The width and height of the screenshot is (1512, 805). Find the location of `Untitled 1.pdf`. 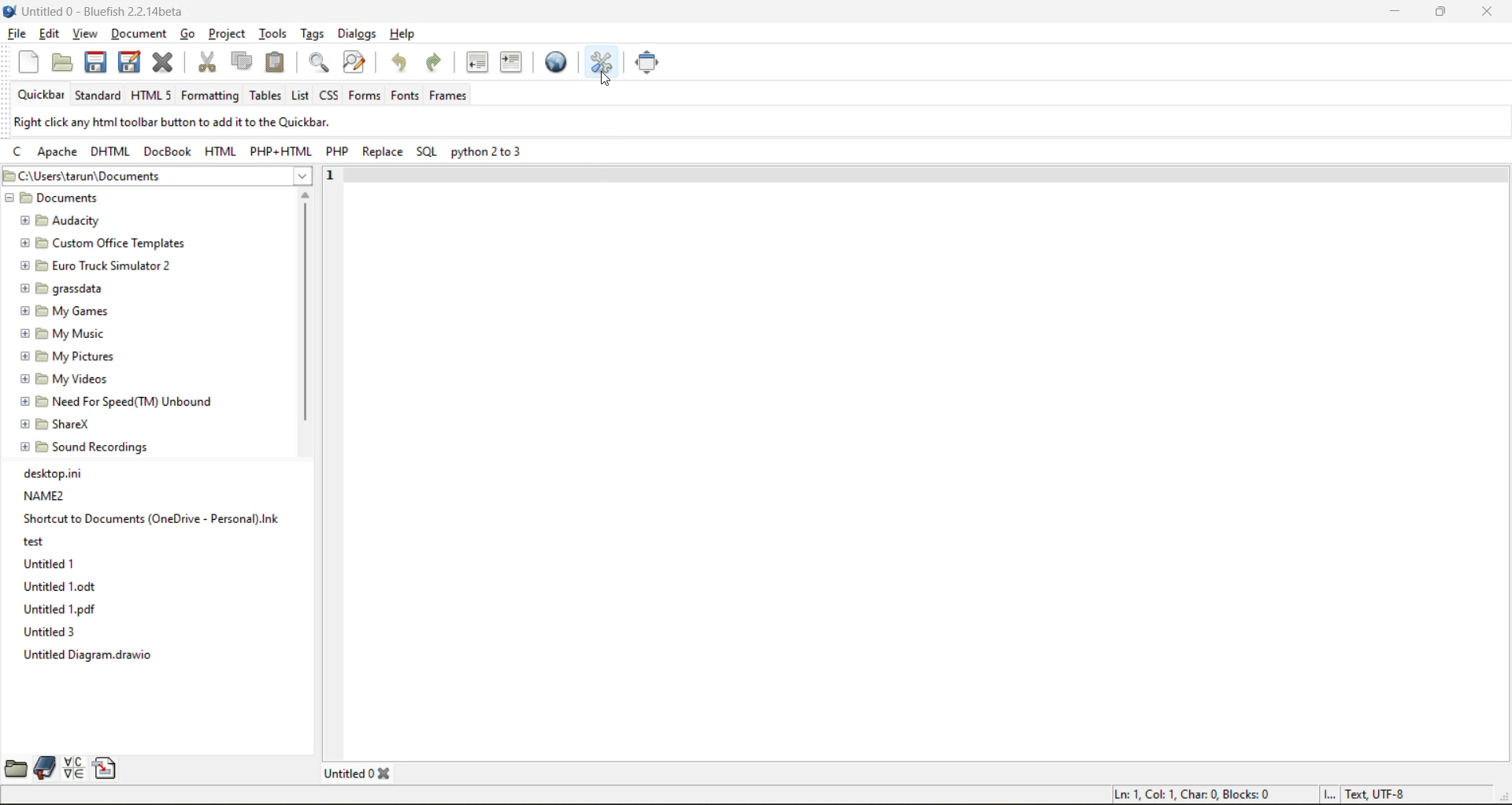

Untitled 1.pdf is located at coordinates (62, 610).